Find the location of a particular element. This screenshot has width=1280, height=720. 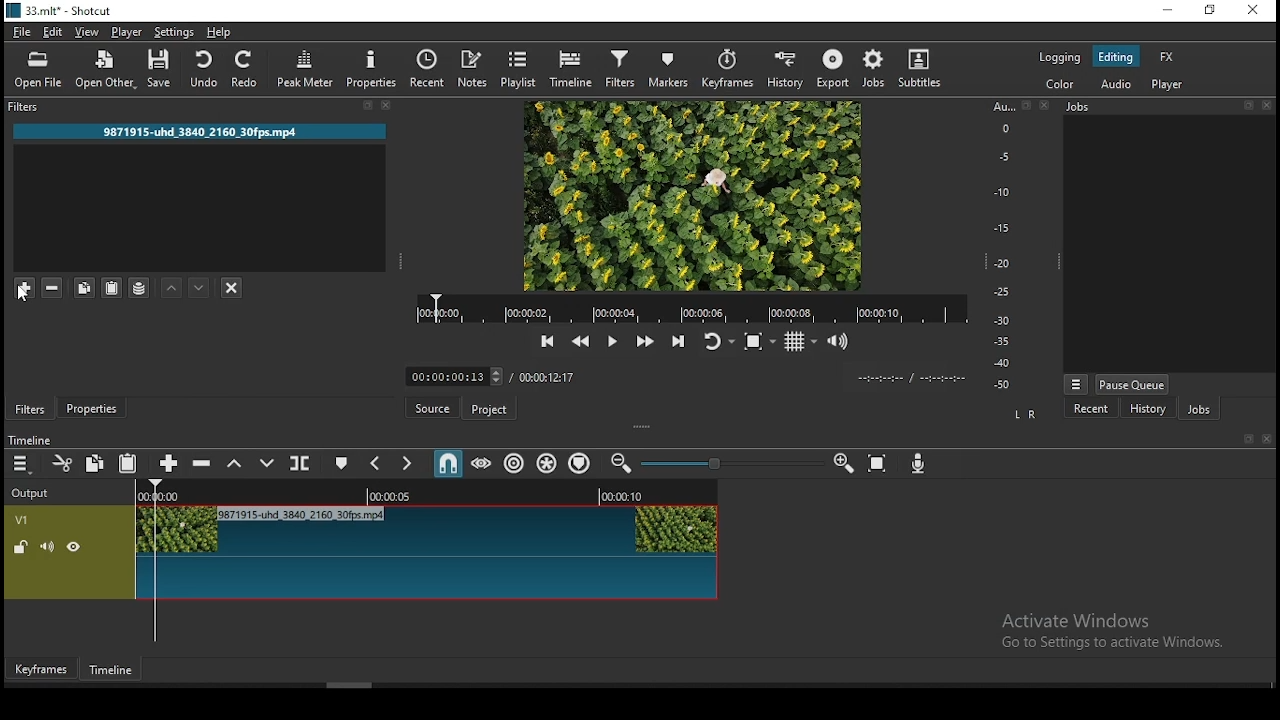

cut is located at coordinates (64, 464).